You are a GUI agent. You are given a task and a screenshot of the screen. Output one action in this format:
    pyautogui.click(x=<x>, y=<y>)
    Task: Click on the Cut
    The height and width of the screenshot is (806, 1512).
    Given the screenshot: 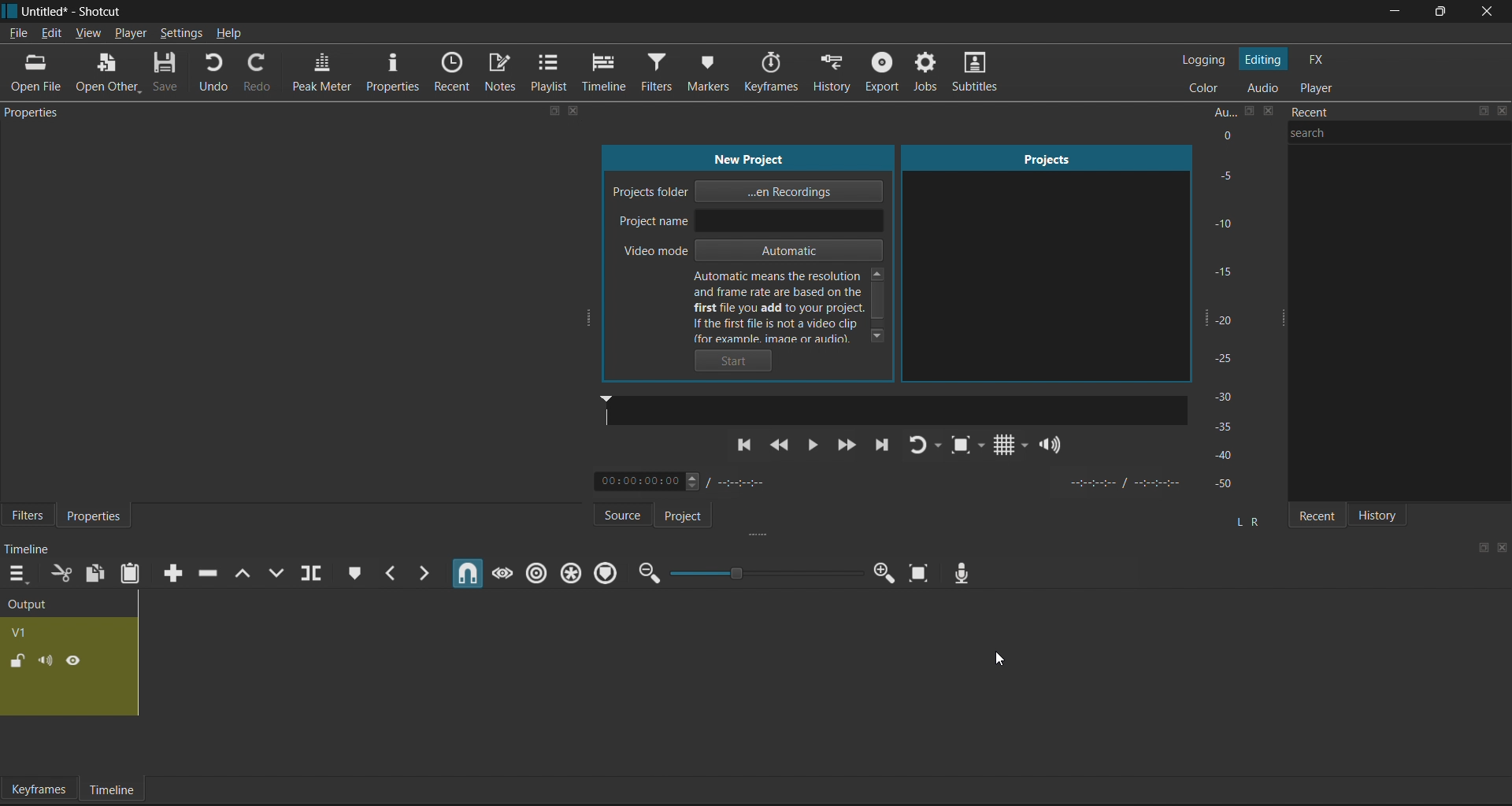 What is the action you would take?
    pyautogui.click(x=61, y=575)
    